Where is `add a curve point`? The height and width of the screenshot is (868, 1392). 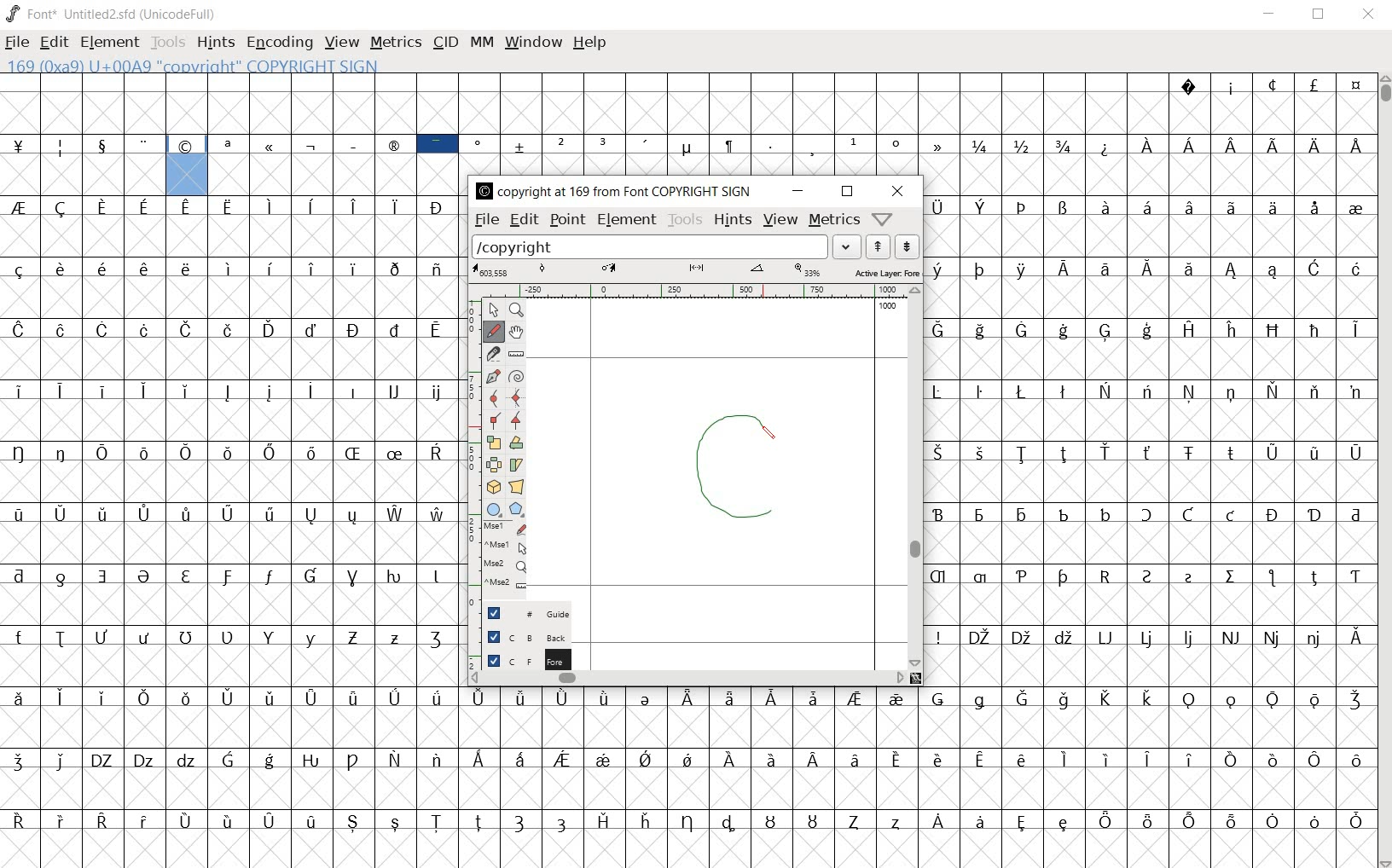 add a curve point is located at coordinates (495, 397).